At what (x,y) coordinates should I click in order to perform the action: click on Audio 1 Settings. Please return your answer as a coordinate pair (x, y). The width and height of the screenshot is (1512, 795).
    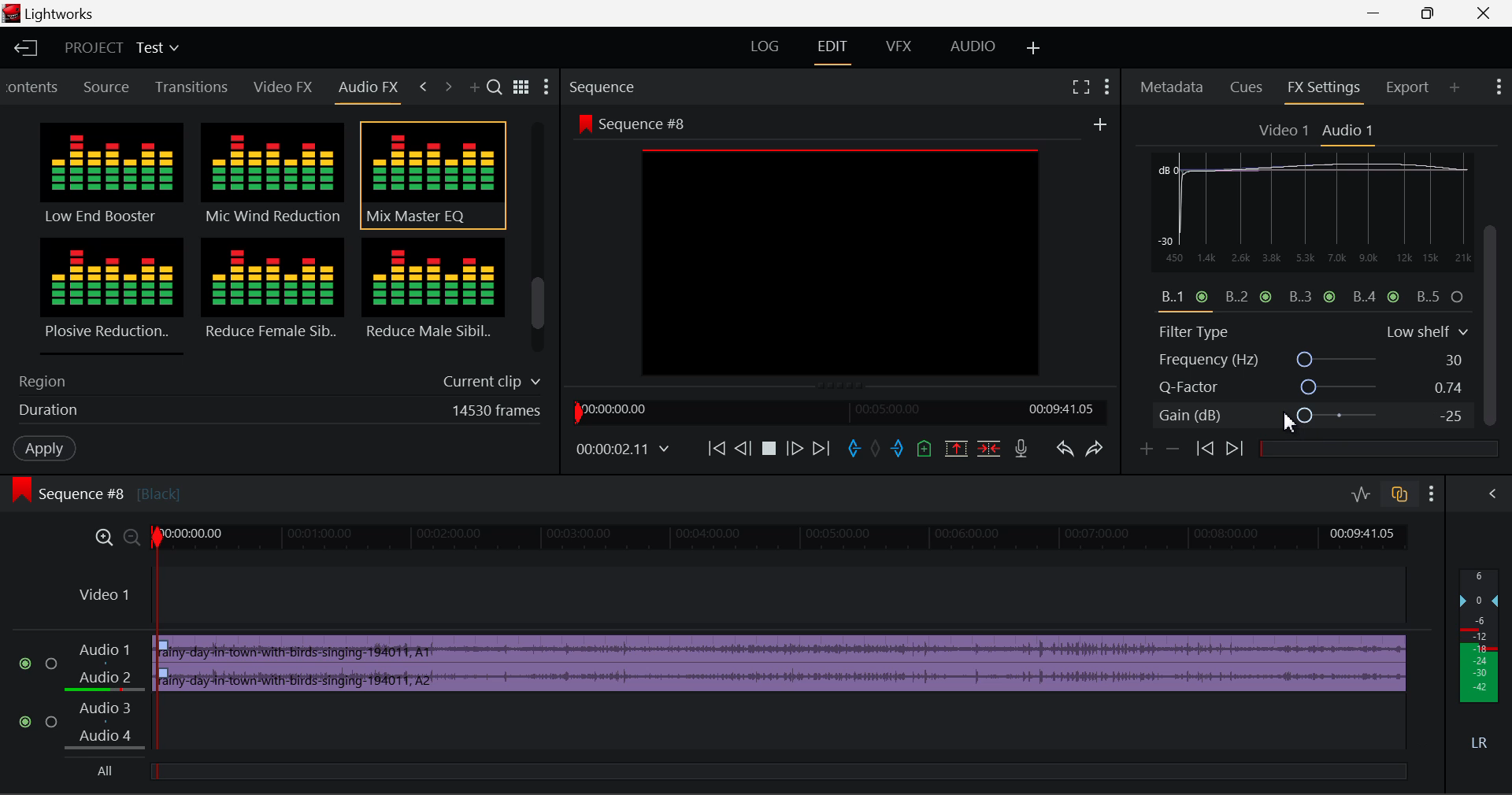
    Looking at the image, I should click on (1350, 131).